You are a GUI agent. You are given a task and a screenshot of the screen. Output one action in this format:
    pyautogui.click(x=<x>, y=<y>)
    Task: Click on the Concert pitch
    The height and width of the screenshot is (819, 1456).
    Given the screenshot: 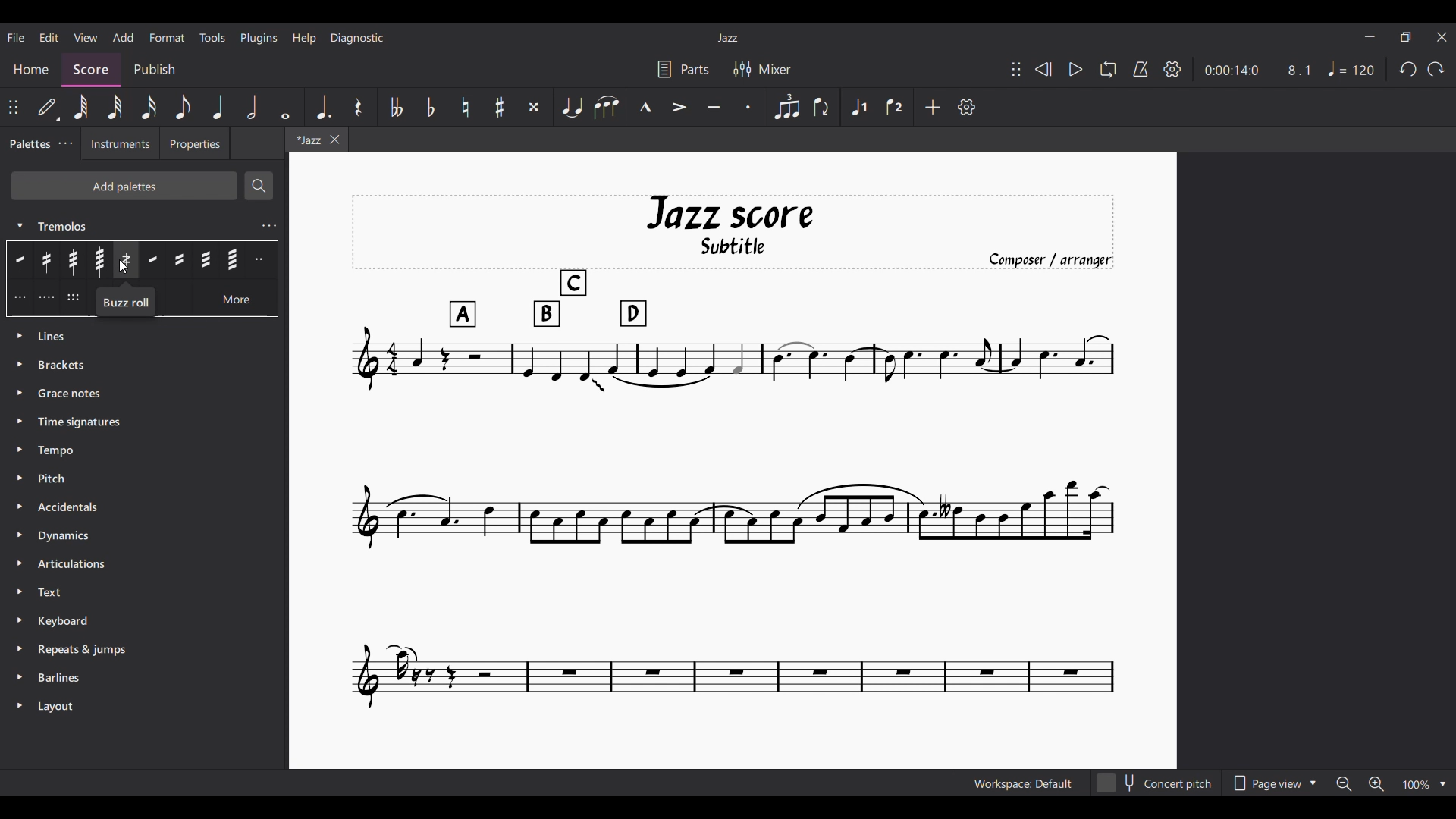 What is the action you would take?
    pyautogui.click(x=1154, y=783)
    